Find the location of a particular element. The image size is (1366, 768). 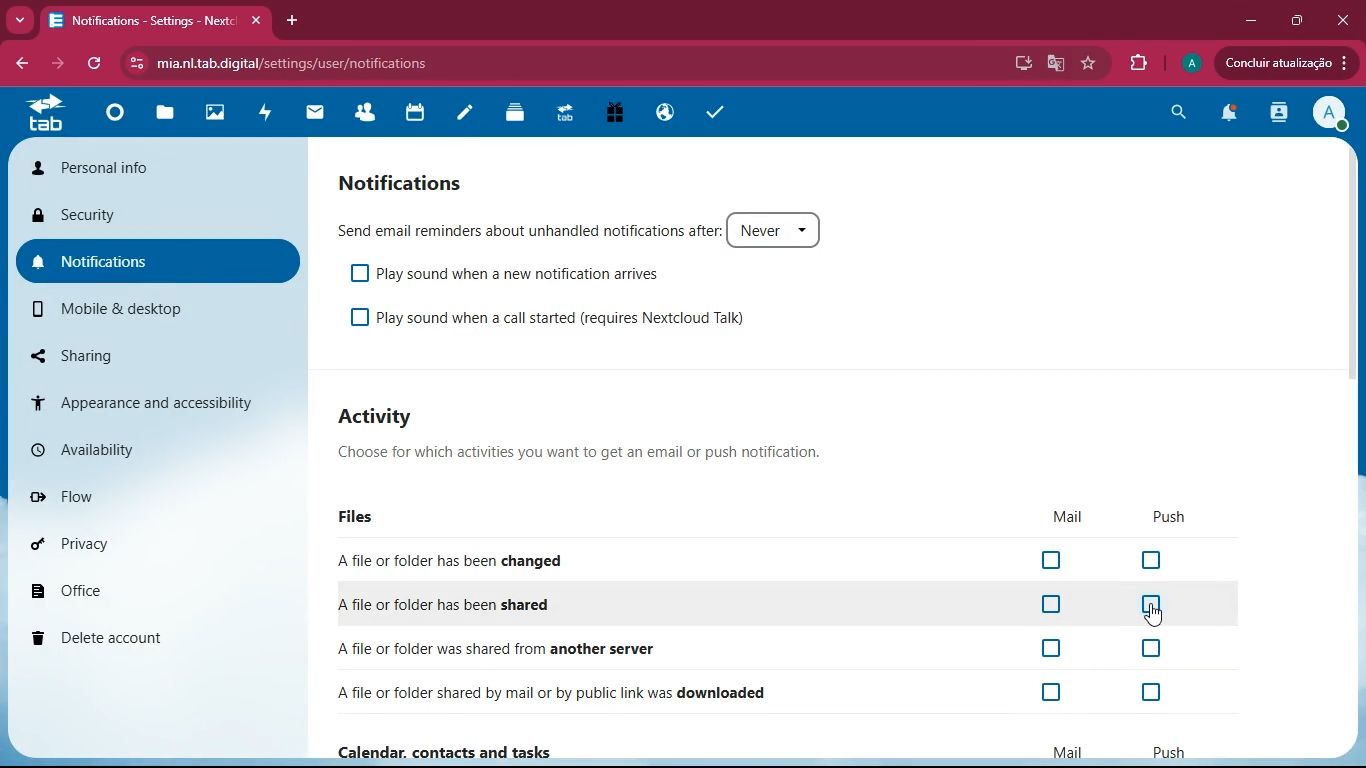

minimize is located at coordinates (1245, 22).